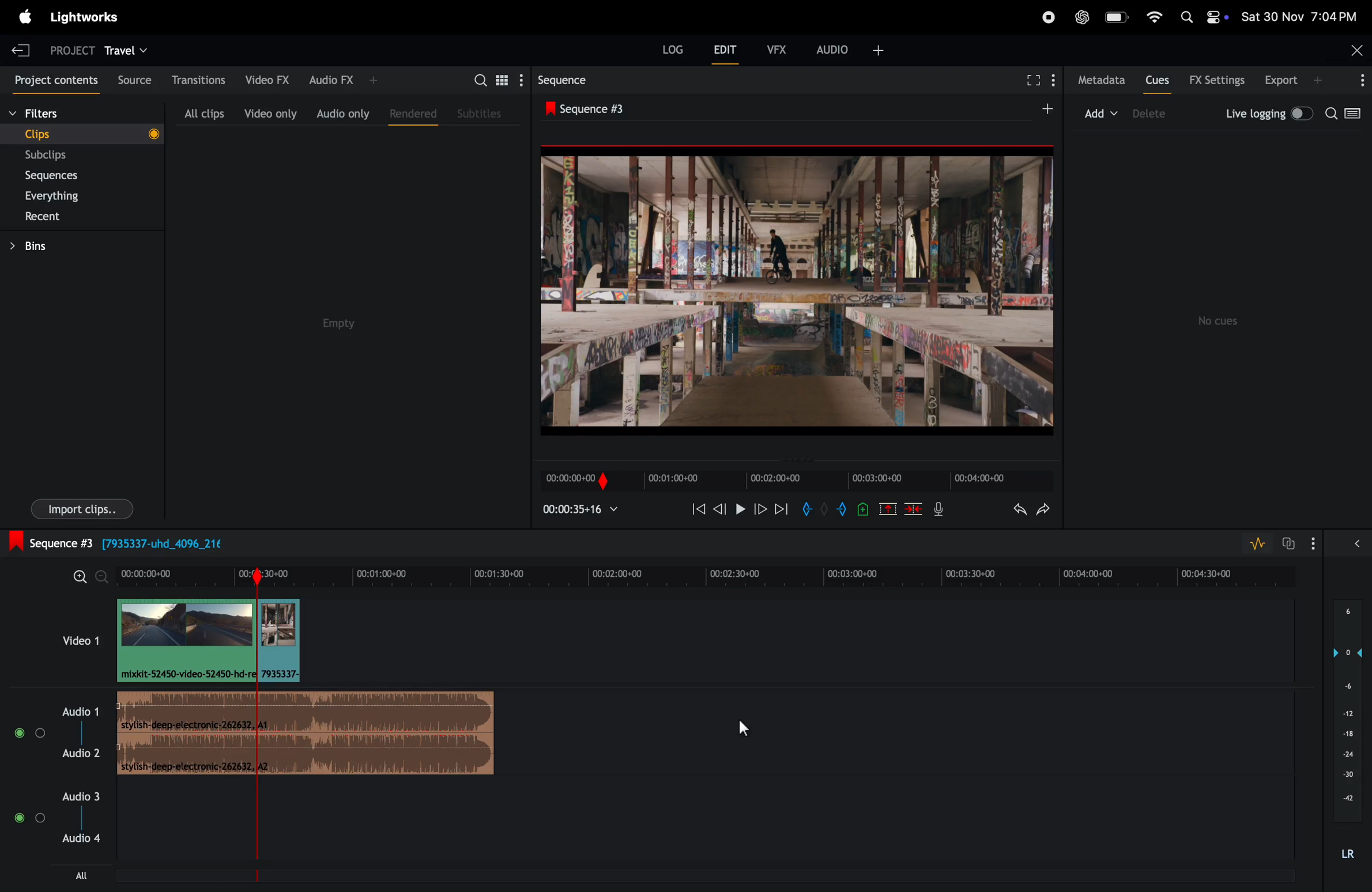  I want to click on options, so click(1314, 543).